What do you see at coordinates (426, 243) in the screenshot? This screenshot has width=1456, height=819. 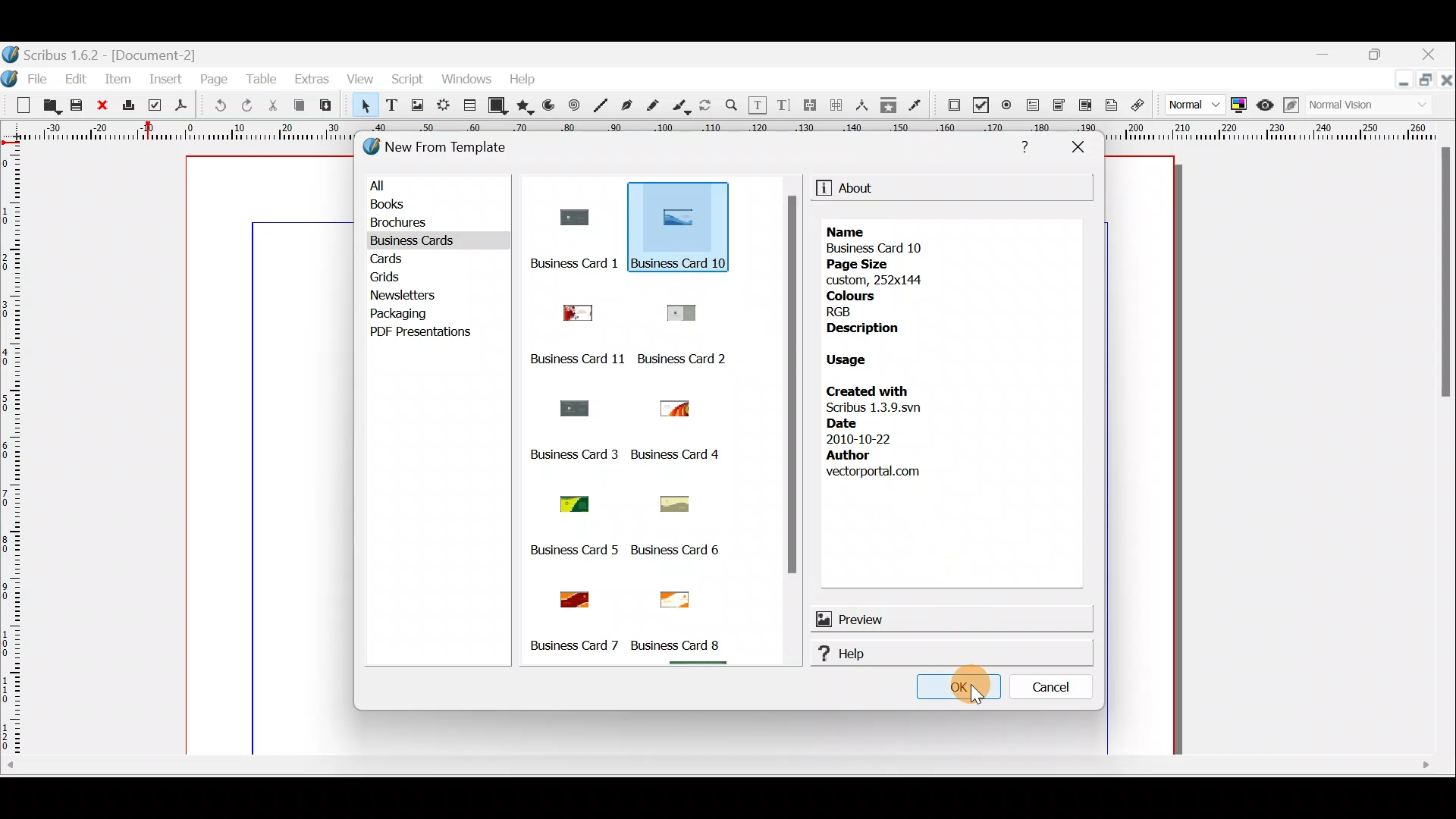 I see `Business cards` at bounding box center [426, 243].